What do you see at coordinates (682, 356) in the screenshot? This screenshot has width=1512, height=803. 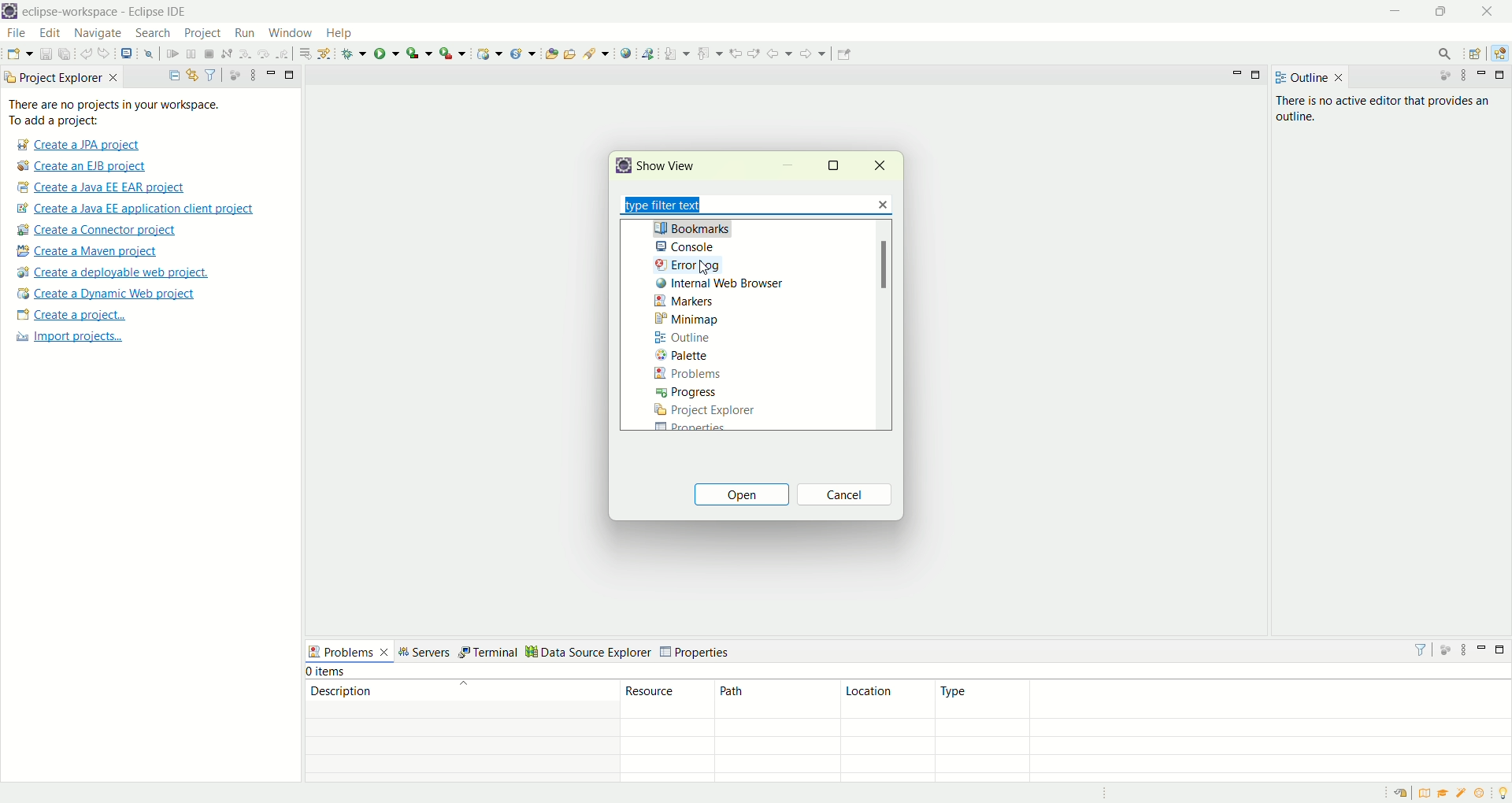 I see `palette` at bounding box center [682, 356].